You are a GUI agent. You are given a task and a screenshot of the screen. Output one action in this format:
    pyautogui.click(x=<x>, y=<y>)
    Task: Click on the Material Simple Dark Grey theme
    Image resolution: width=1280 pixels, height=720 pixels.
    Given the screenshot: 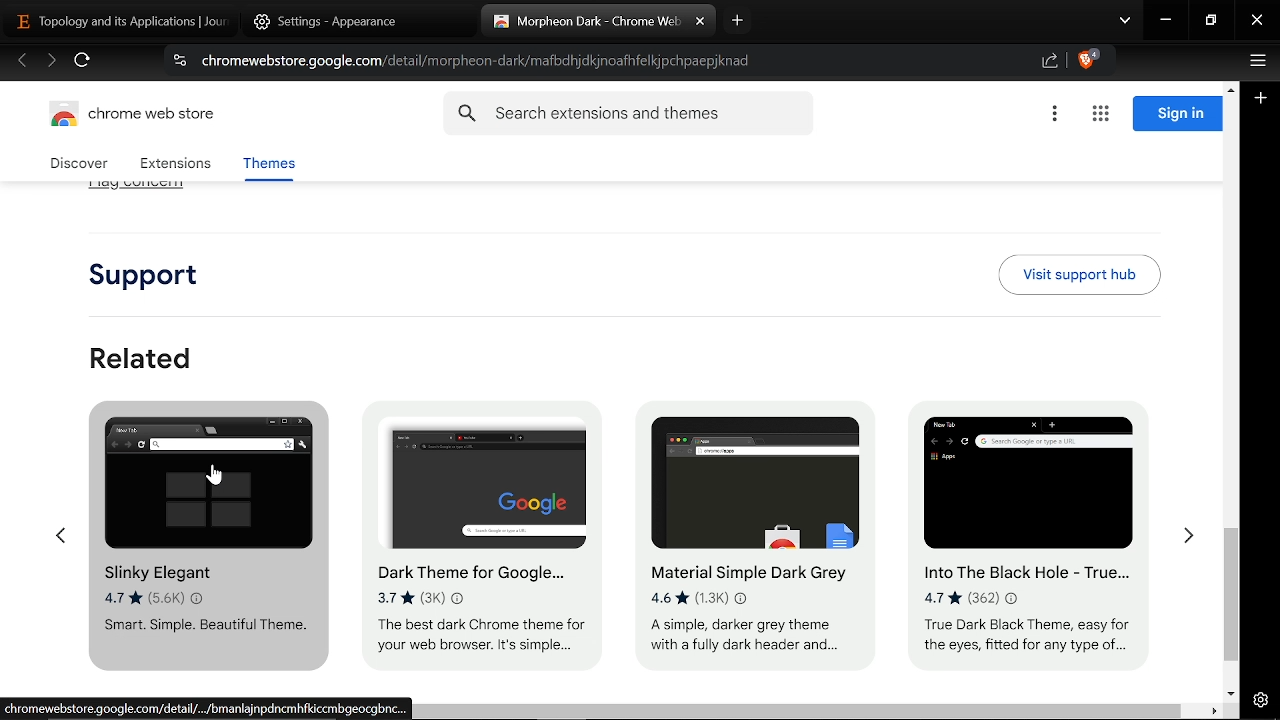 What is the action you would take?
    pyautogui.click(x=747, y=520)
    